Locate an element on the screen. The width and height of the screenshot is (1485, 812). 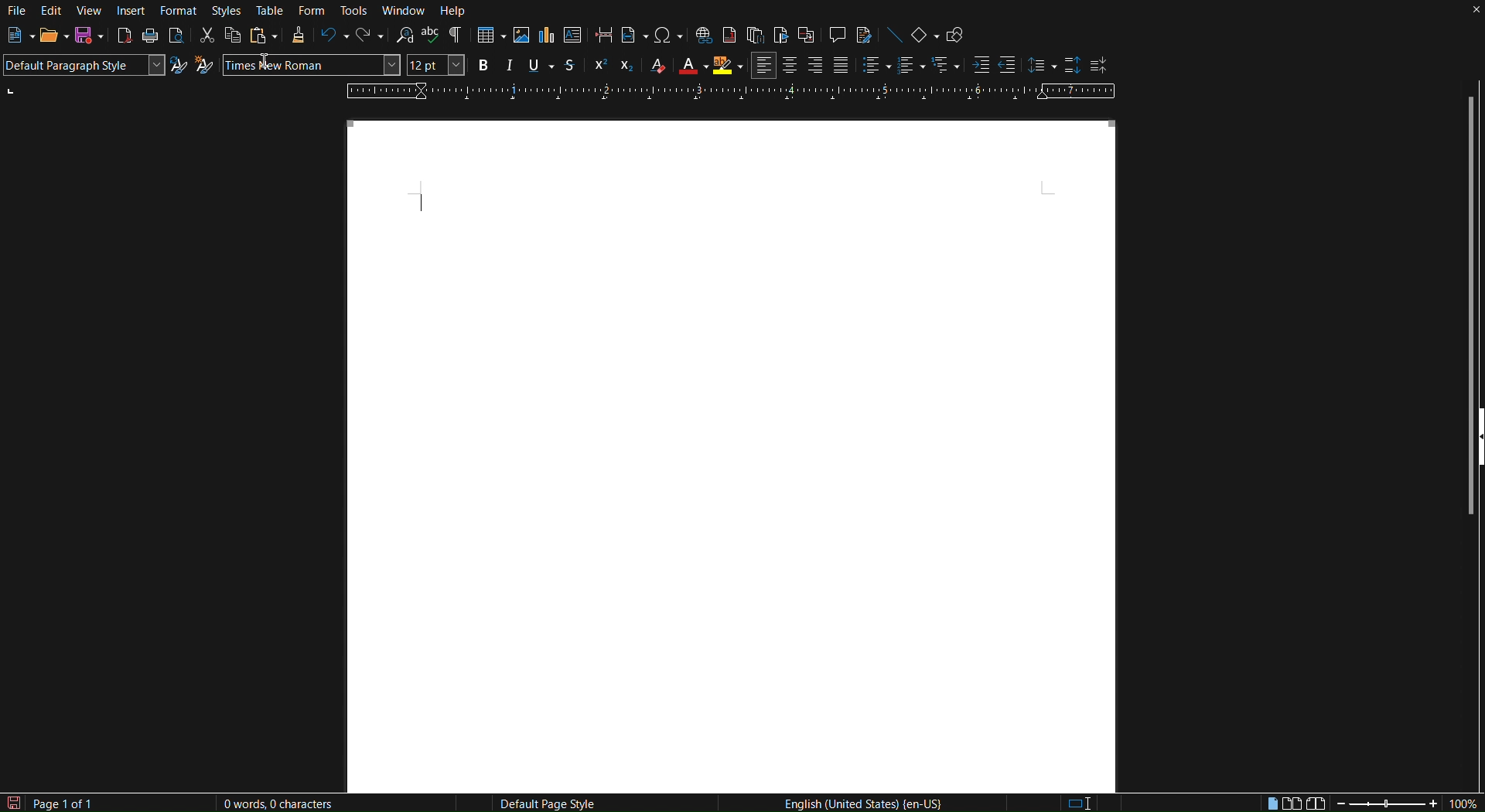
Close is located at coordinates (1467, 12).